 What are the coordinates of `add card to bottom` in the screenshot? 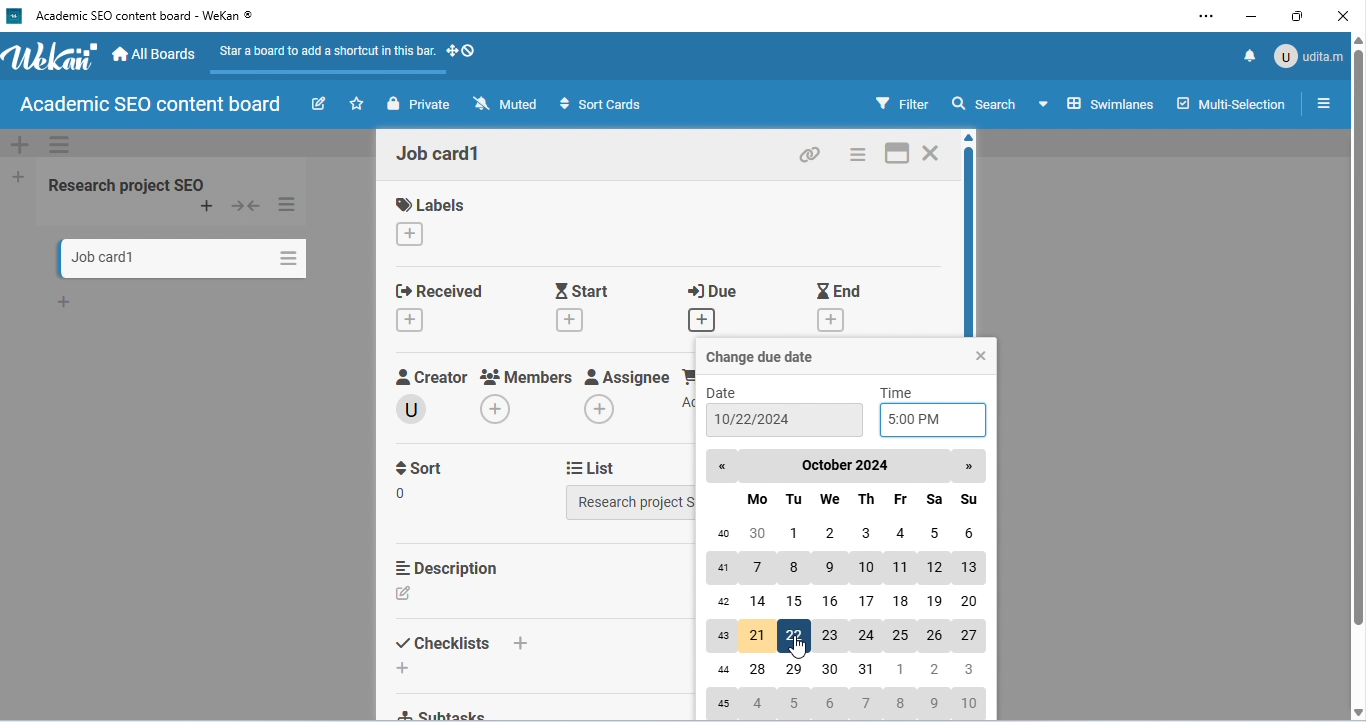 It's located at (67, 302).